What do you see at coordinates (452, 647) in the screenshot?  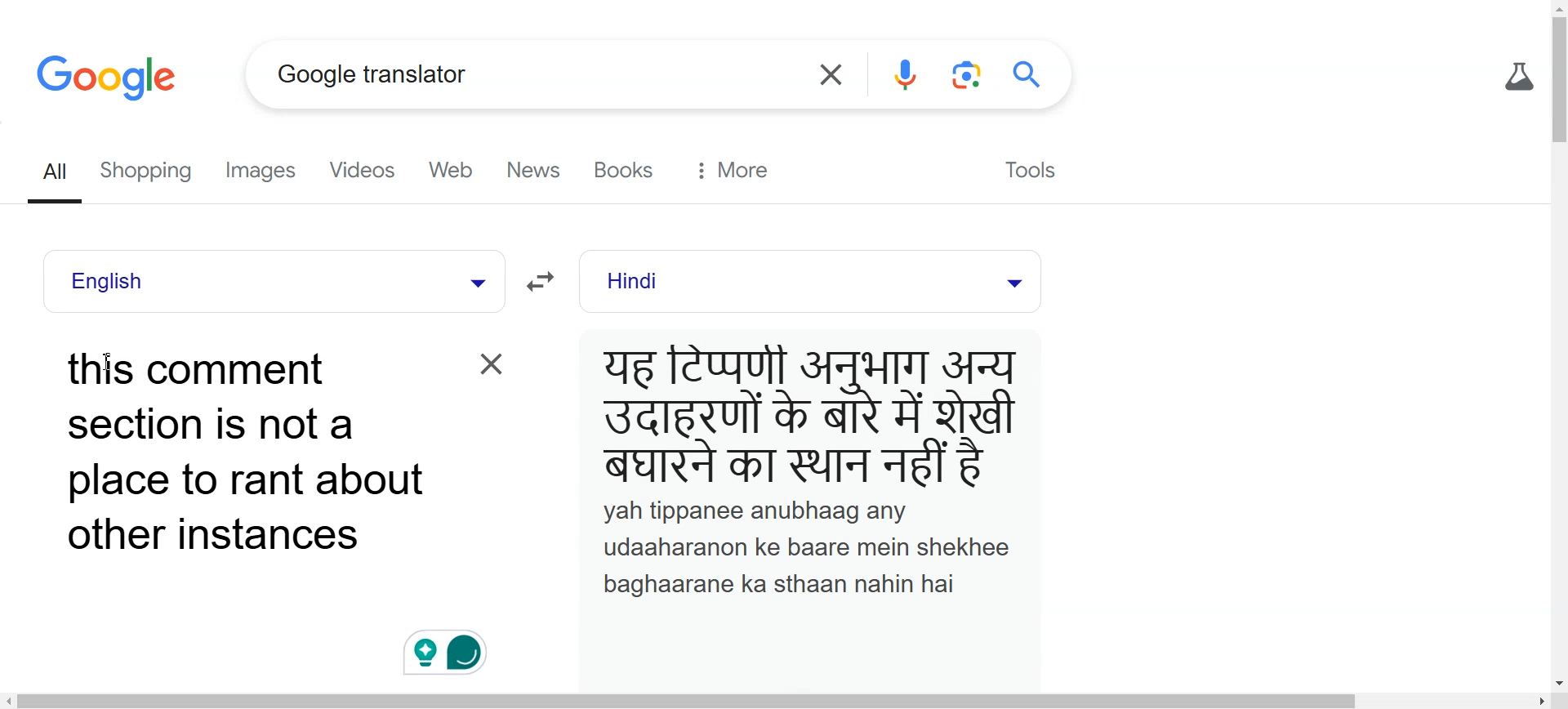 I see `grammarly` at bounding box center [452, 647].